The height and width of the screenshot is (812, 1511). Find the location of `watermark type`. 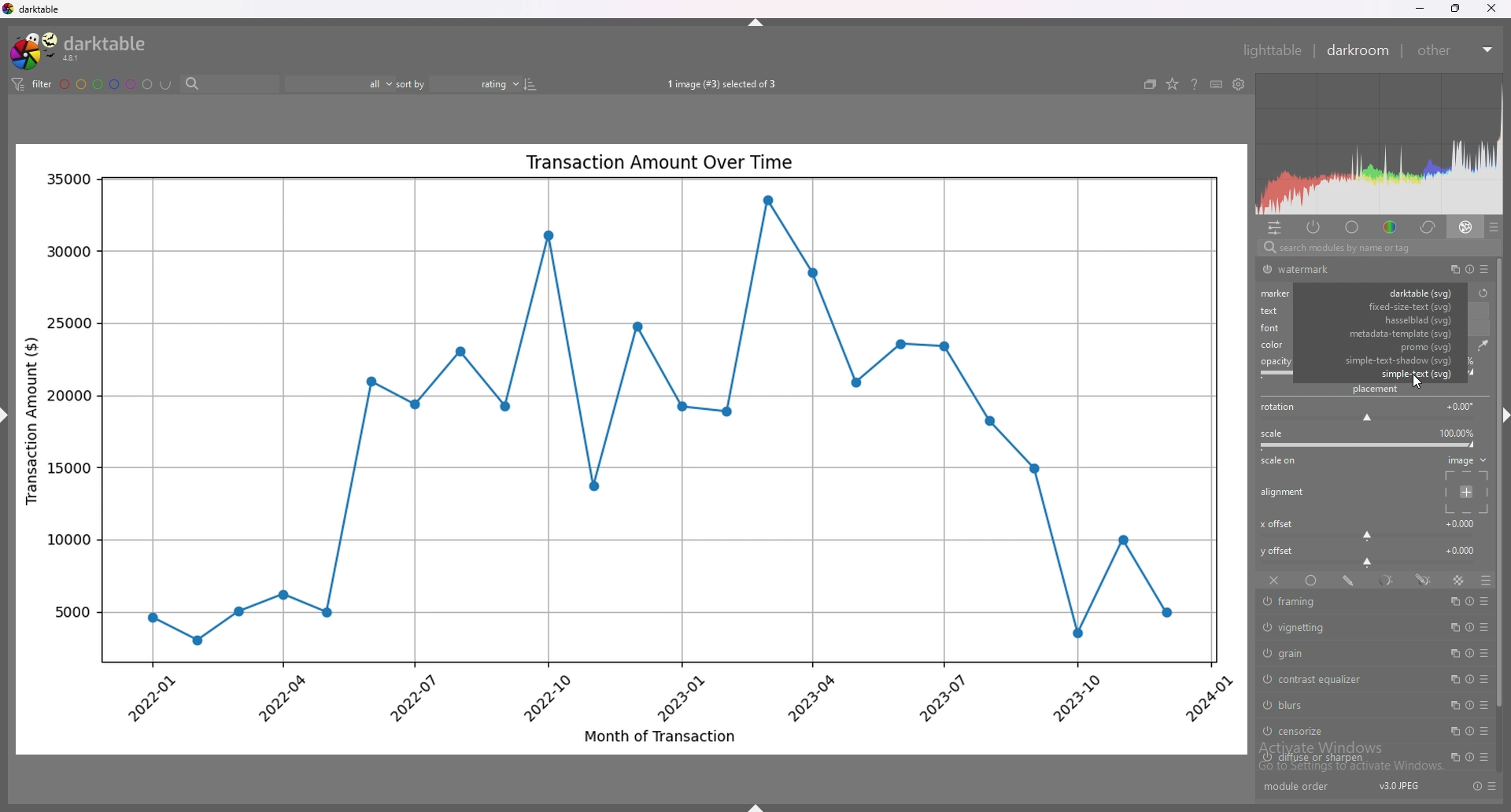

watermark type is located at coordinates (1428, 293).